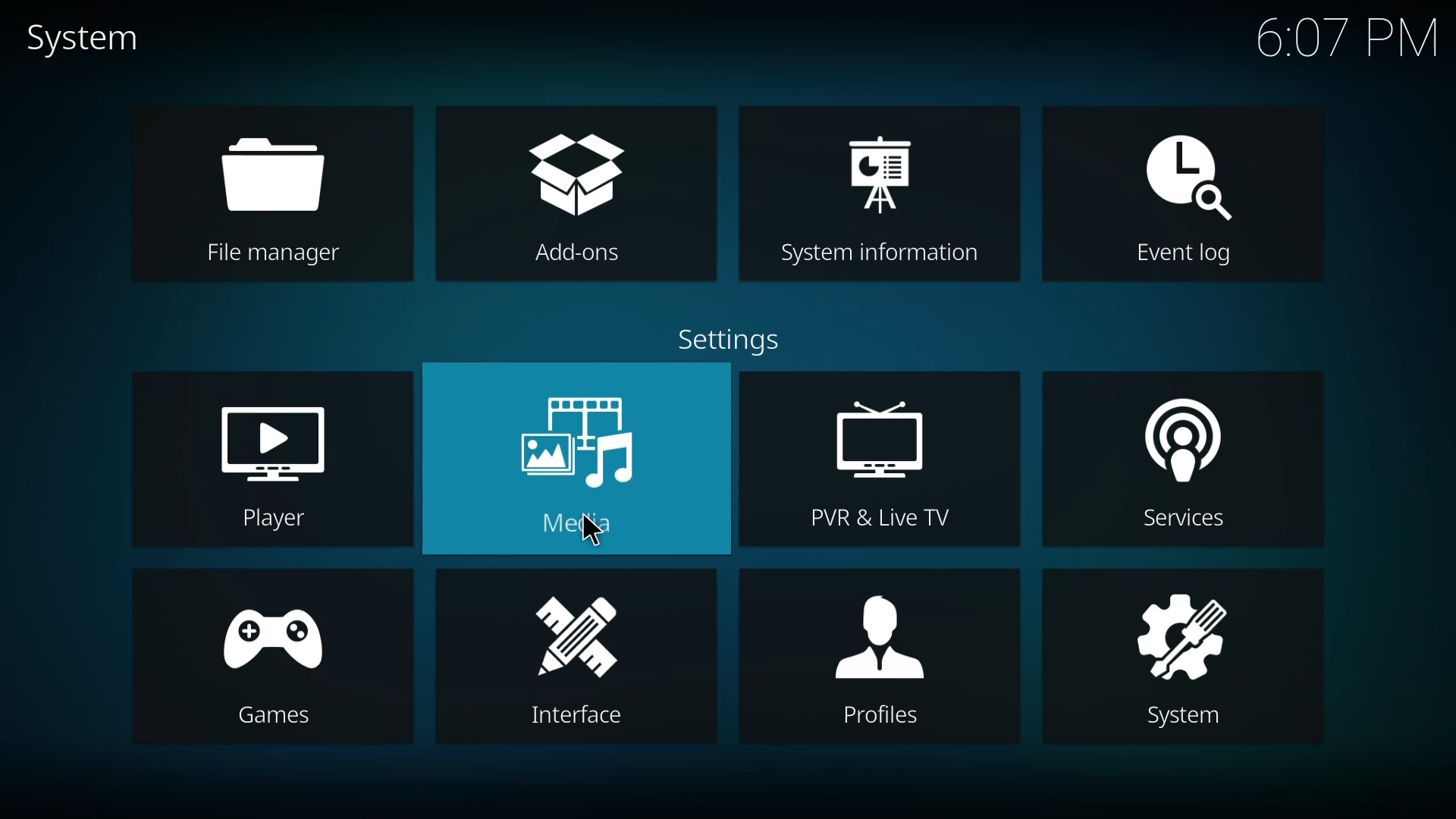  What do you see at coordinates (269, 254) in the screenshot?
I see `File manager` at bounding box center [269, 254].